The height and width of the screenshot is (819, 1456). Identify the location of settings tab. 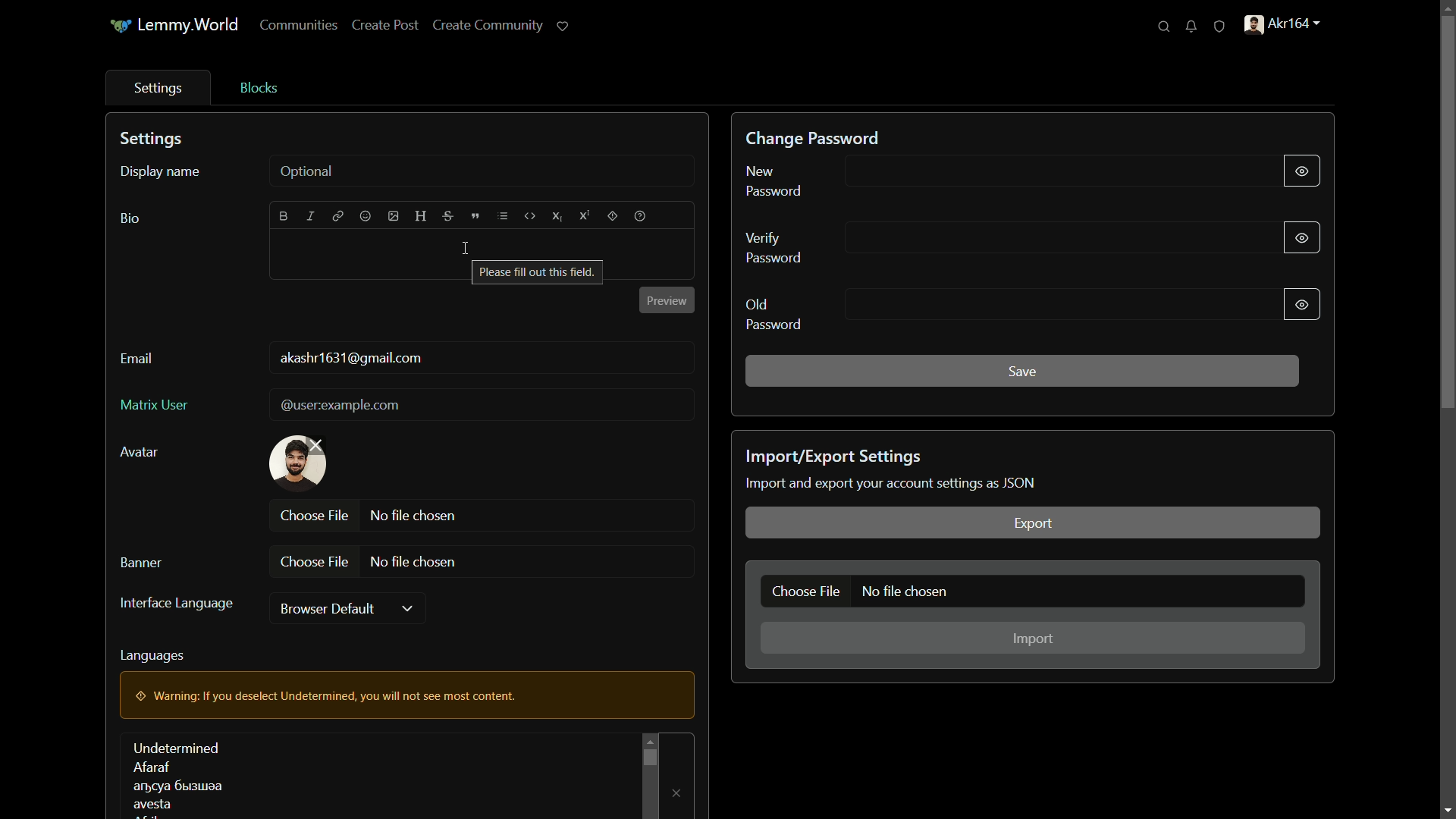
(161, 89).